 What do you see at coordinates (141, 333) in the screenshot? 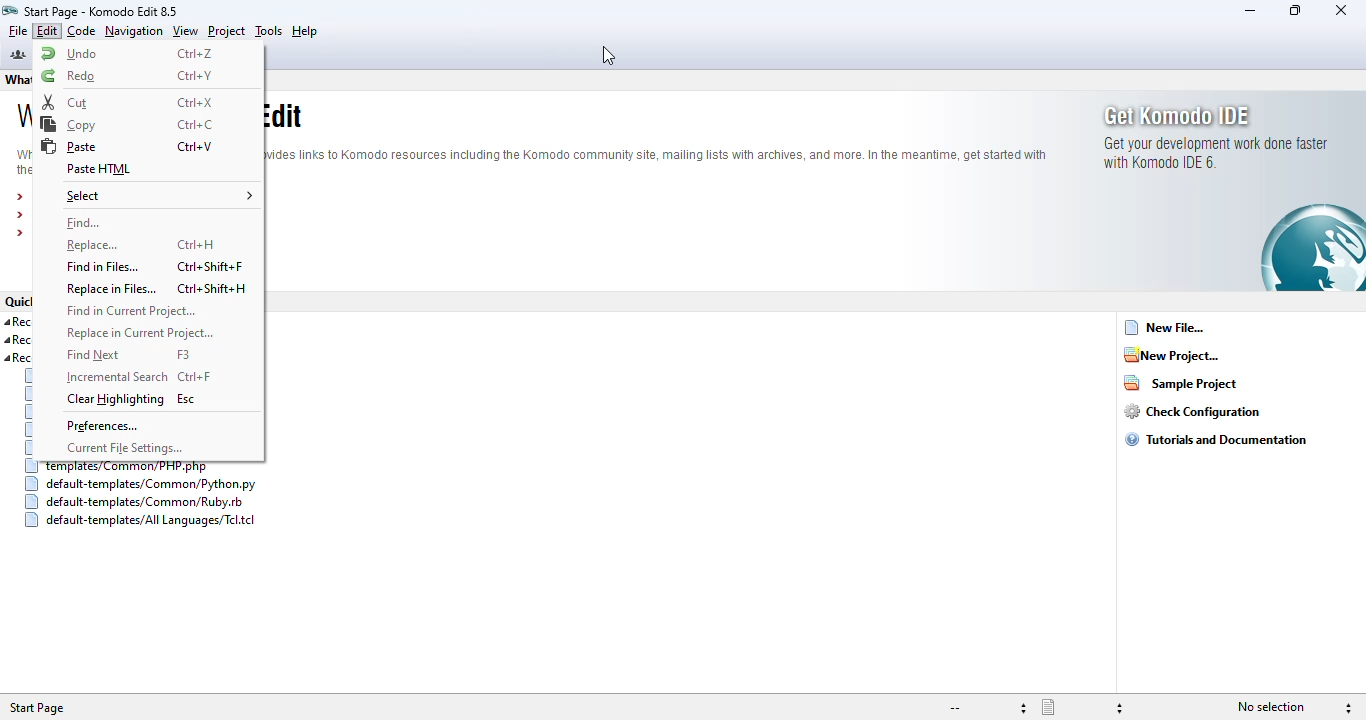
I see `replace in current project` at bounding box center [141, 333].